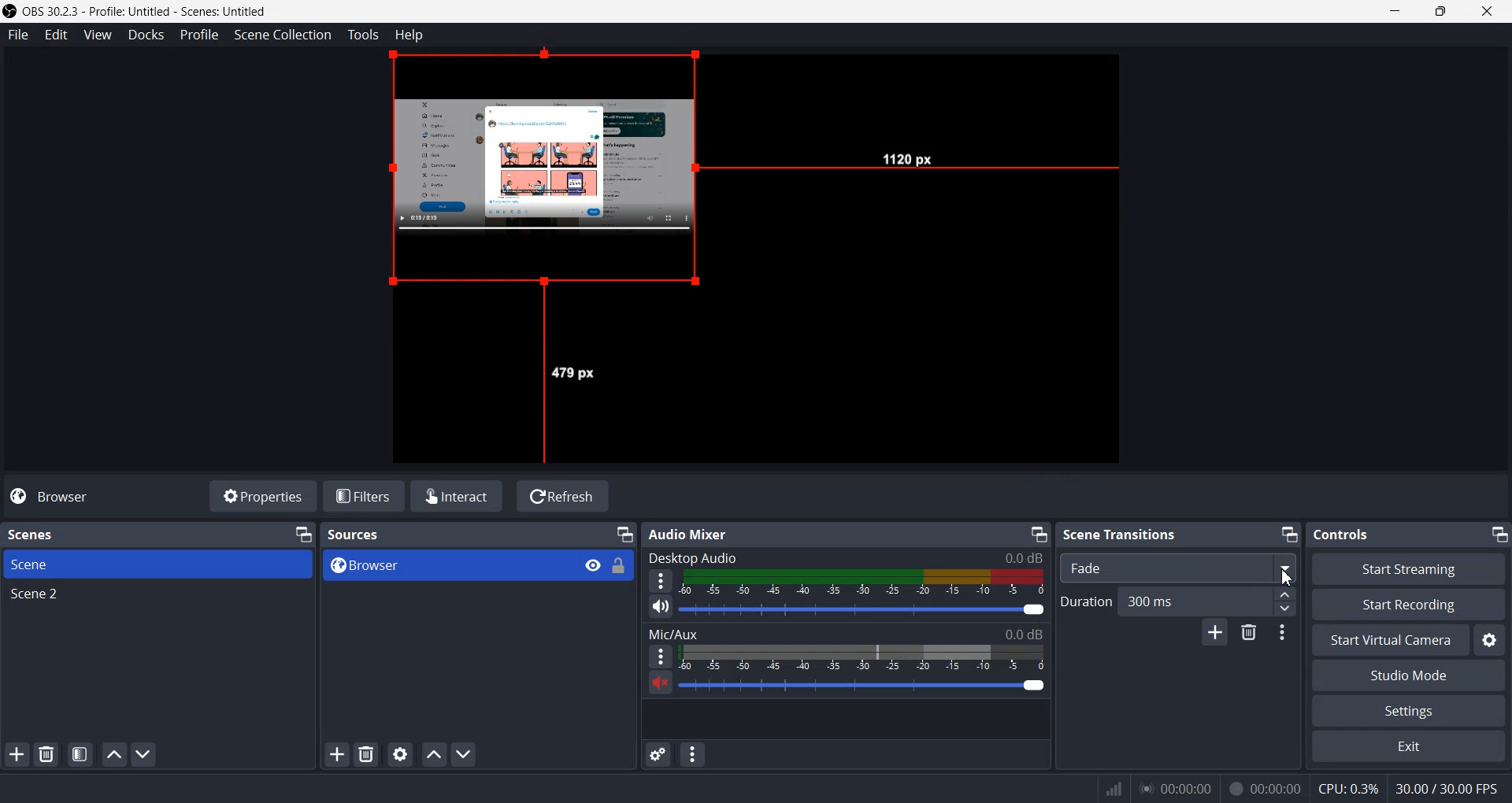  I want to click on Lock/ unlock, so click(620, 566).